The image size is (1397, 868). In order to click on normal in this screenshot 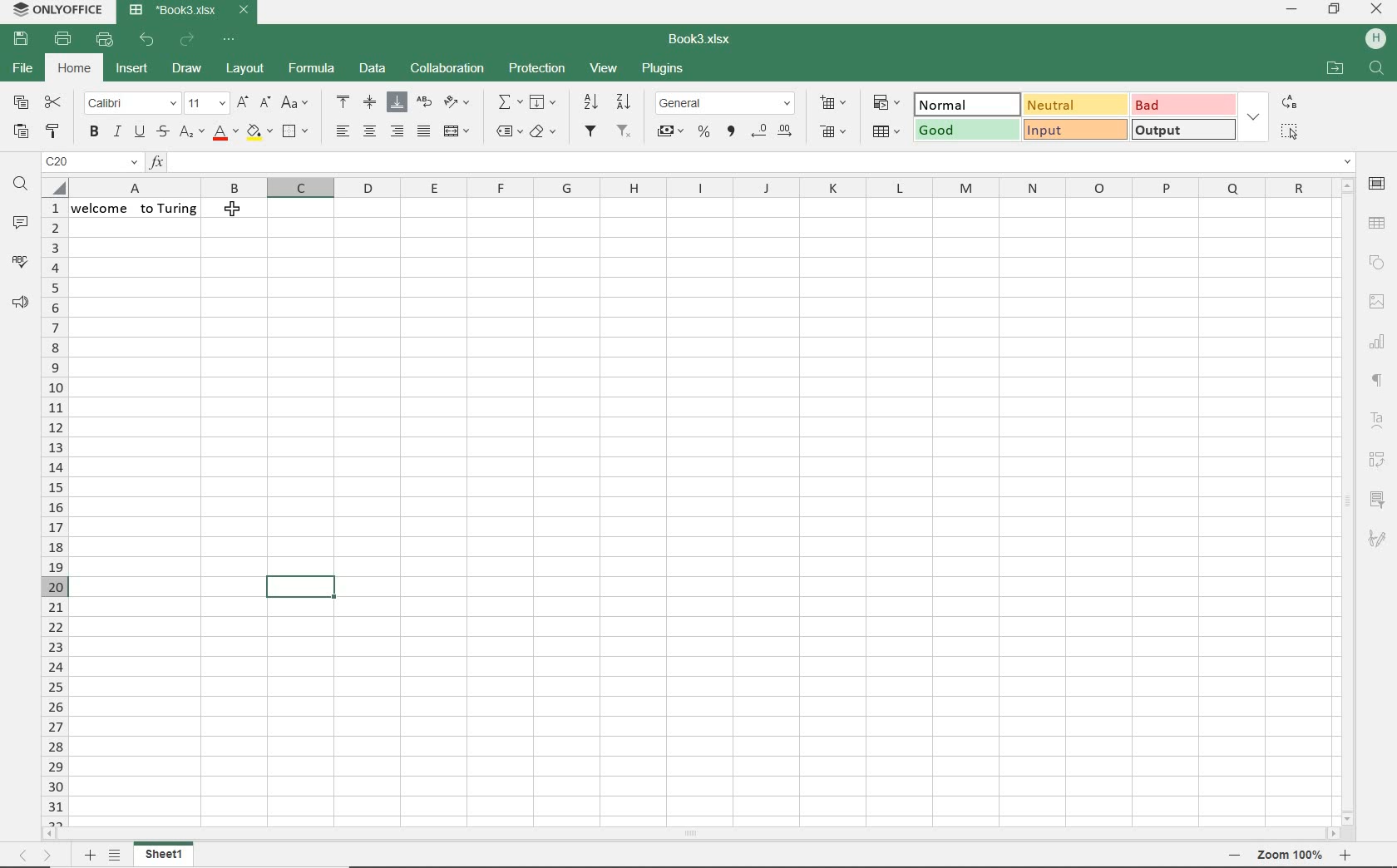, I will do `click(963, 104)`.